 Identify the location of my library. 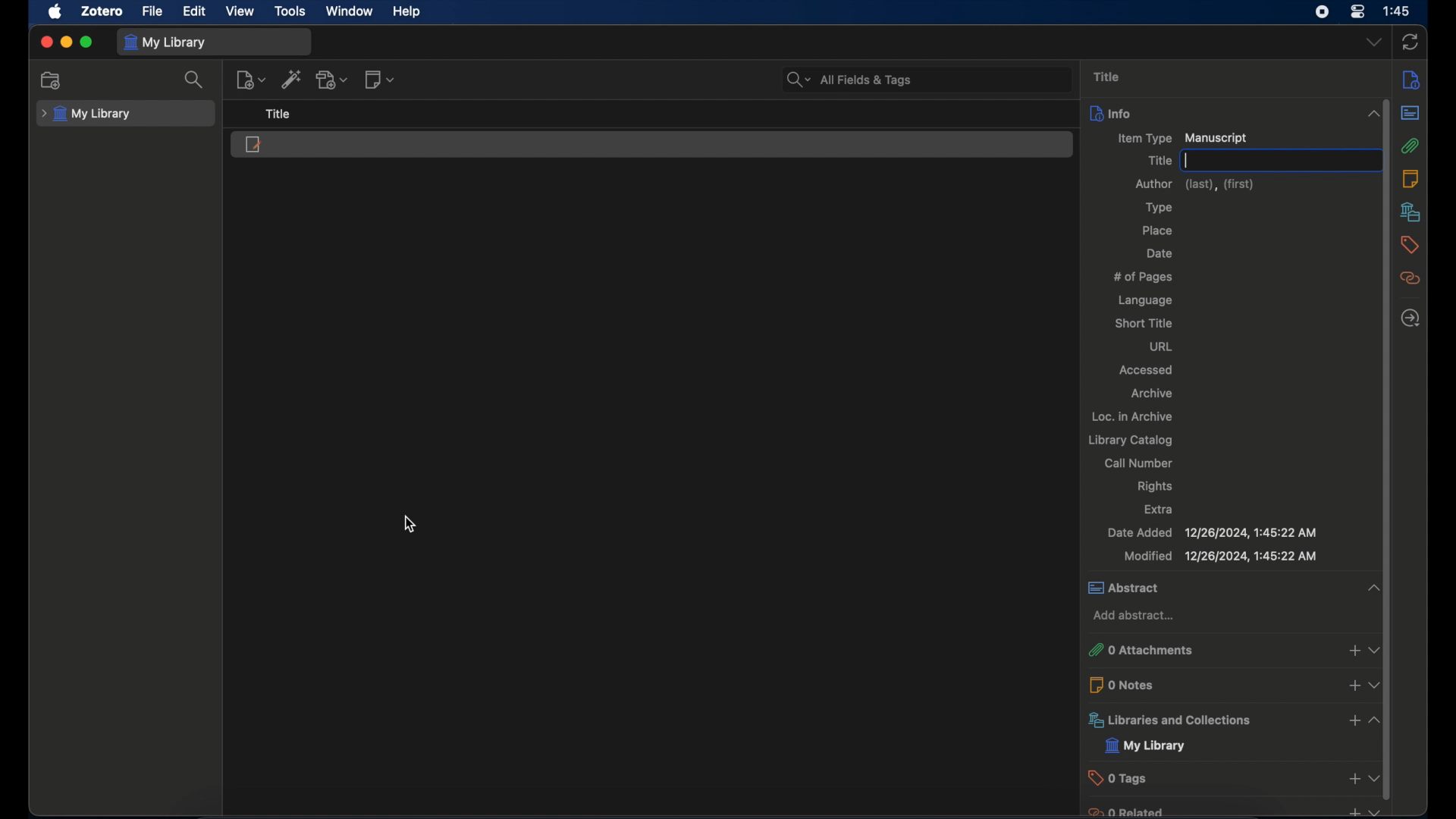
(1145, 746).